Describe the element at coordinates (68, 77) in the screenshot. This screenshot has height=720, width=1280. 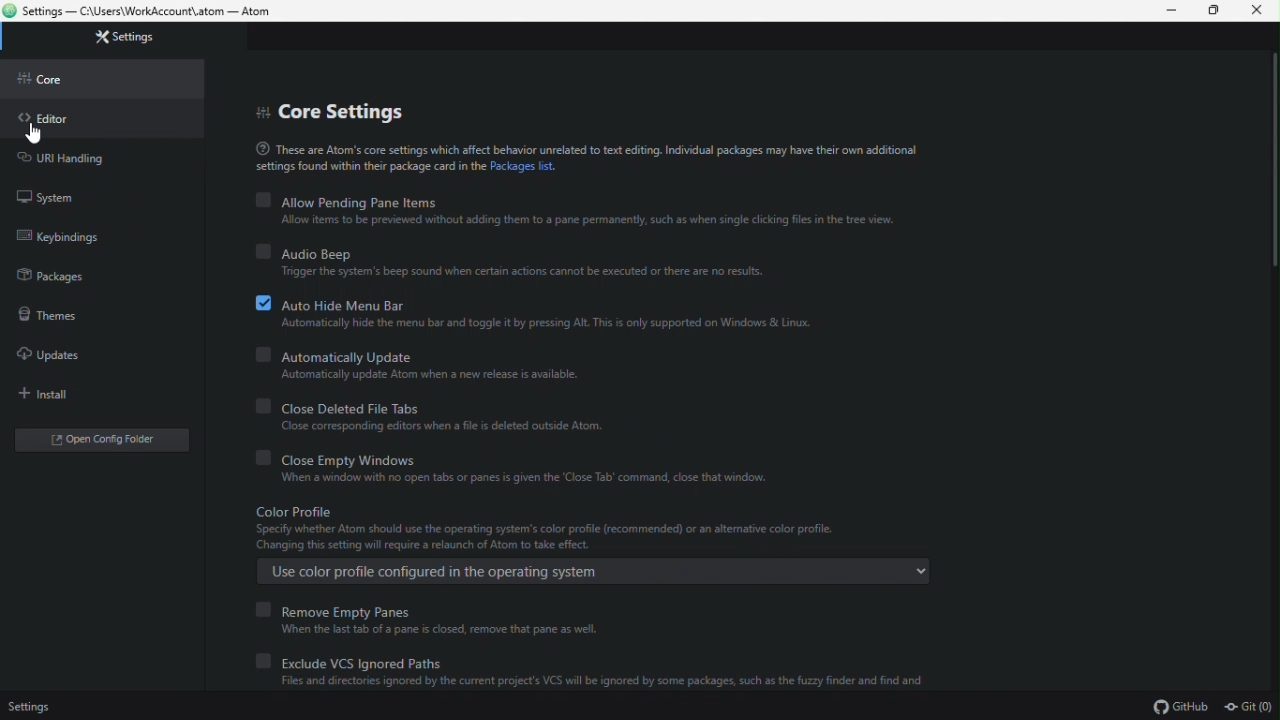
I see `Core ` at that location.